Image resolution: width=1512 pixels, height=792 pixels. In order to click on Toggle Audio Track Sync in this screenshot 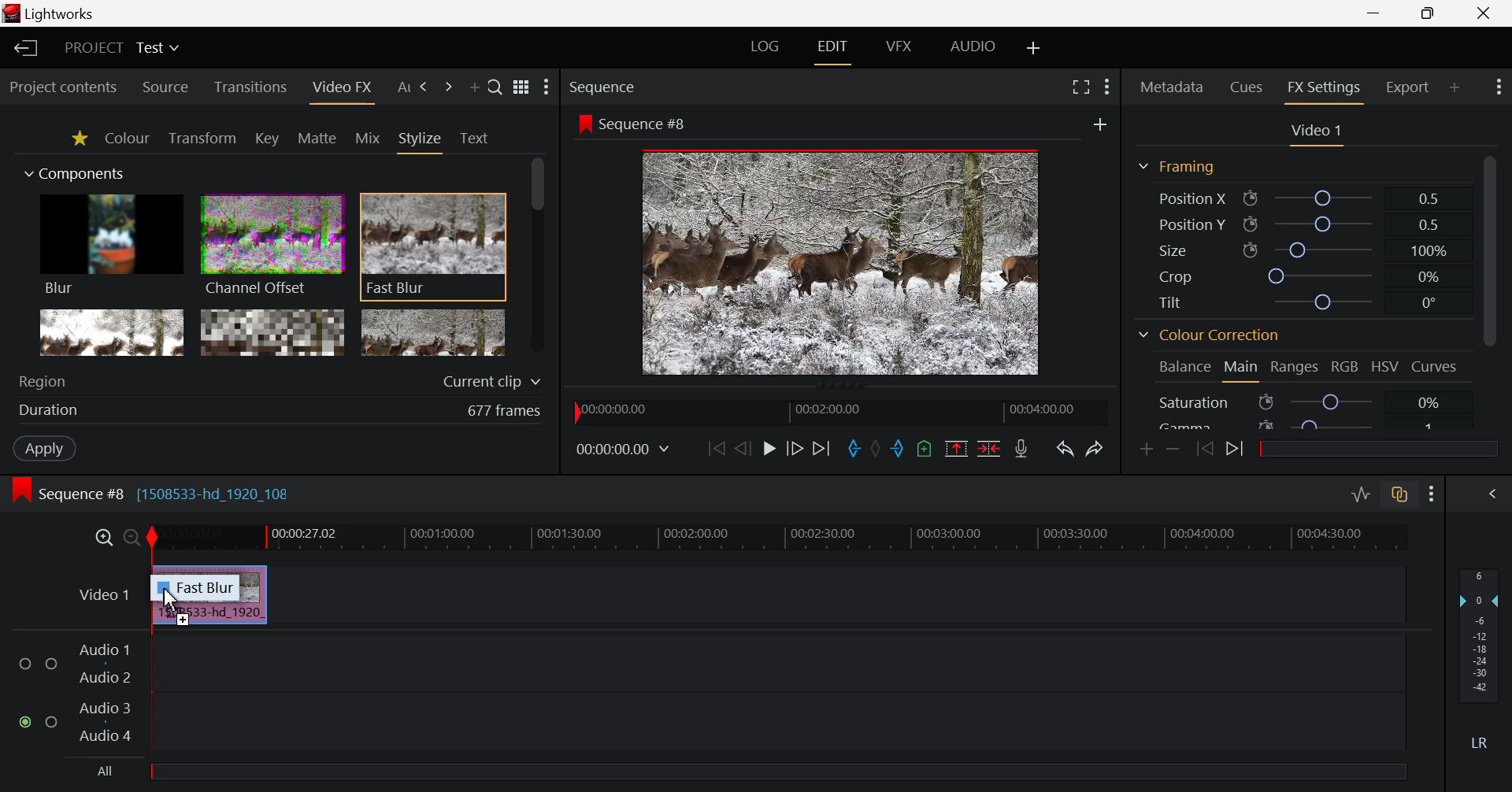, I will do `click(1398, 495)`.